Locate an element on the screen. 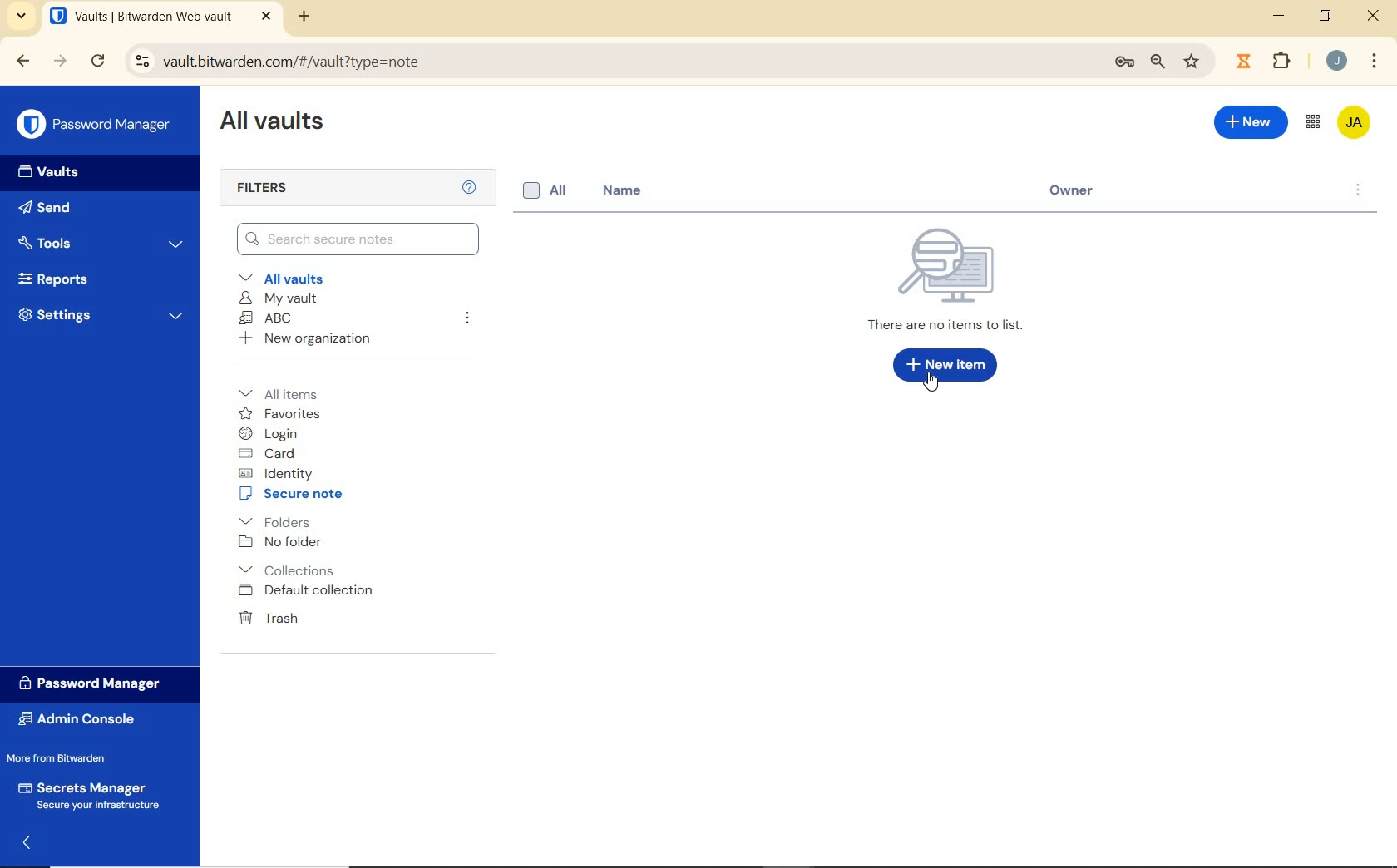 The image size is (1397, 868). manage passwords is located at coordinates (1124, 65).